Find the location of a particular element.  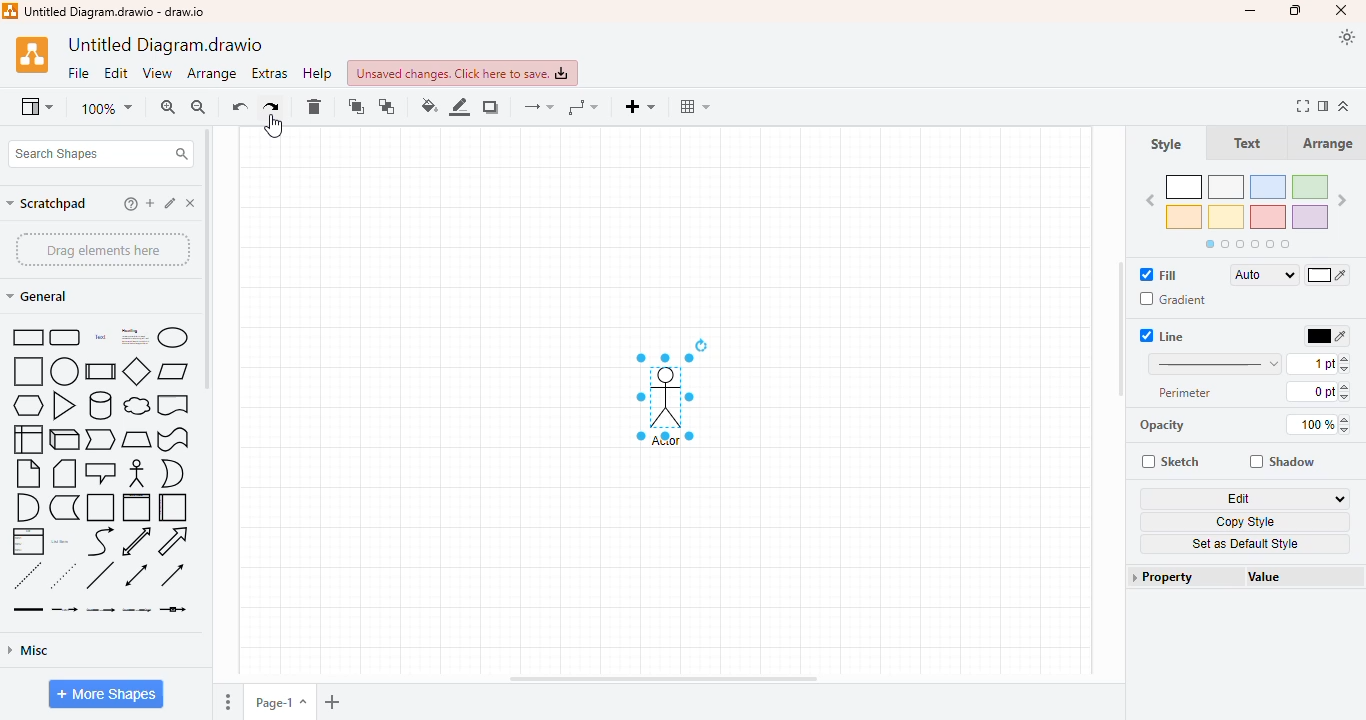

insert page is located at coordinates (331, 701).